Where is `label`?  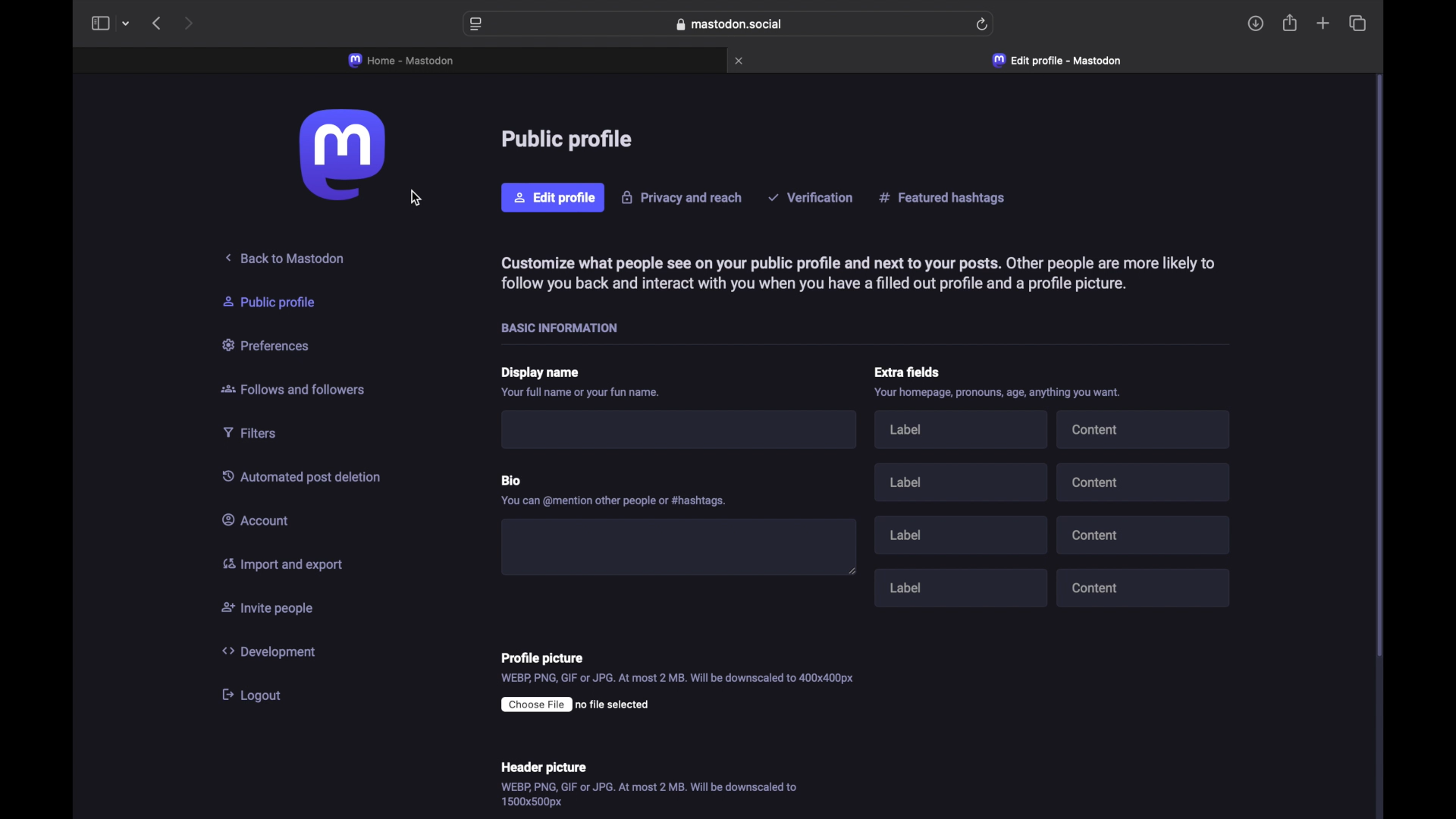
label is located at coordinates (957, 536).